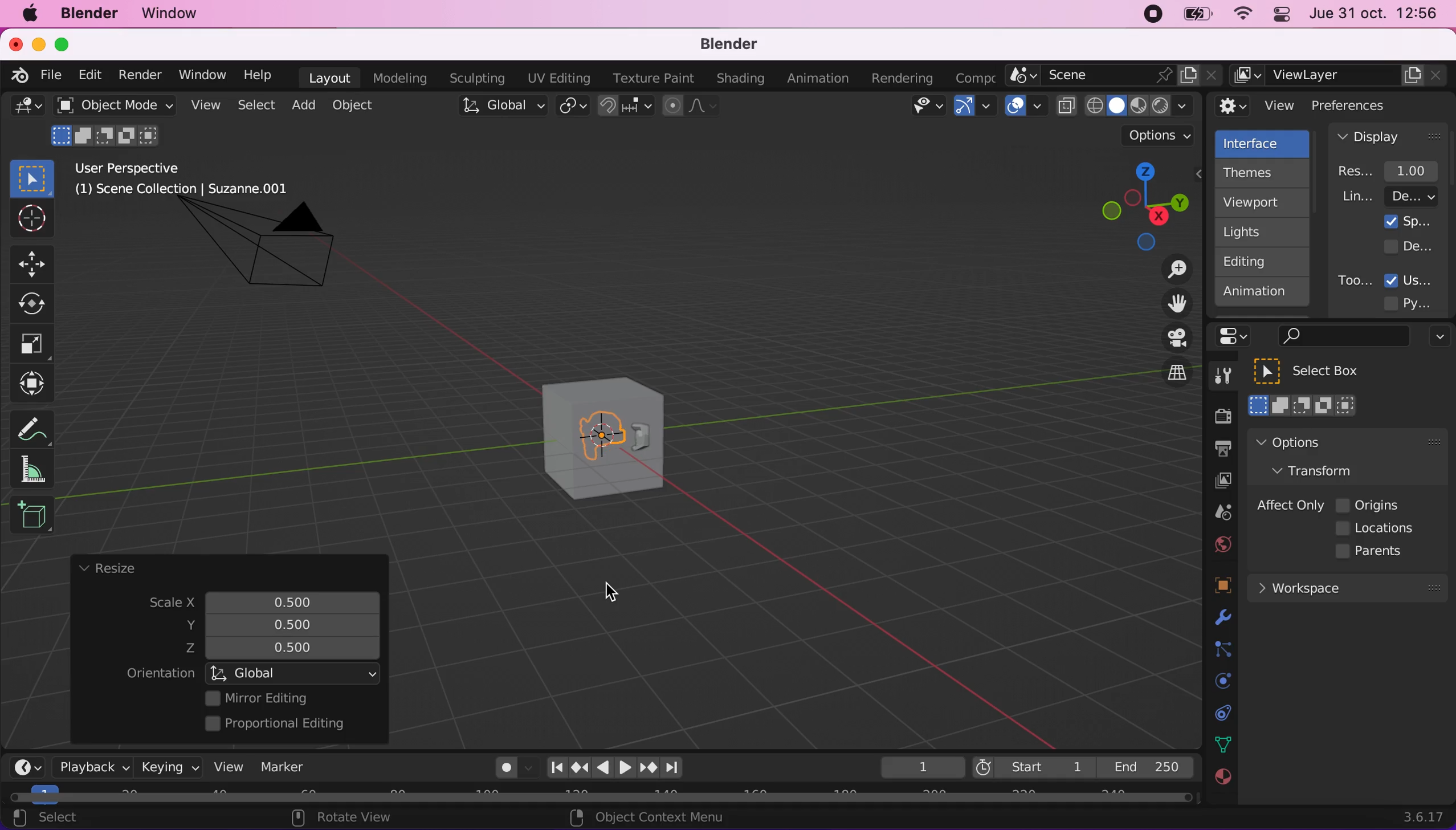 This screenshot has height=830, width=1456. Describe the element at coordinates (161, 604) in the screenshot. I see `scale` at that location.